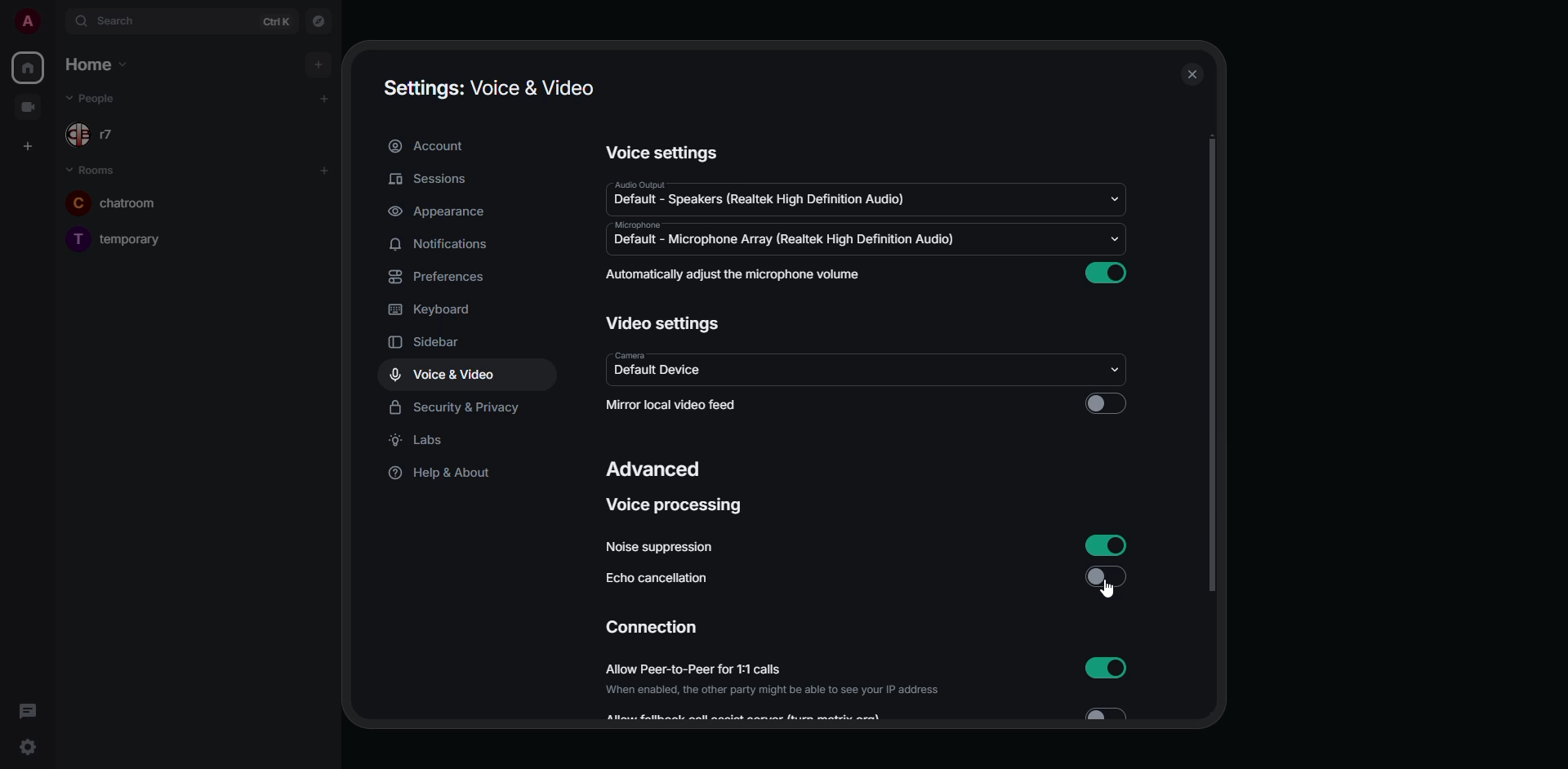 This screenshot has height=769, width=1568. I want to click on home, so click(29, 69).